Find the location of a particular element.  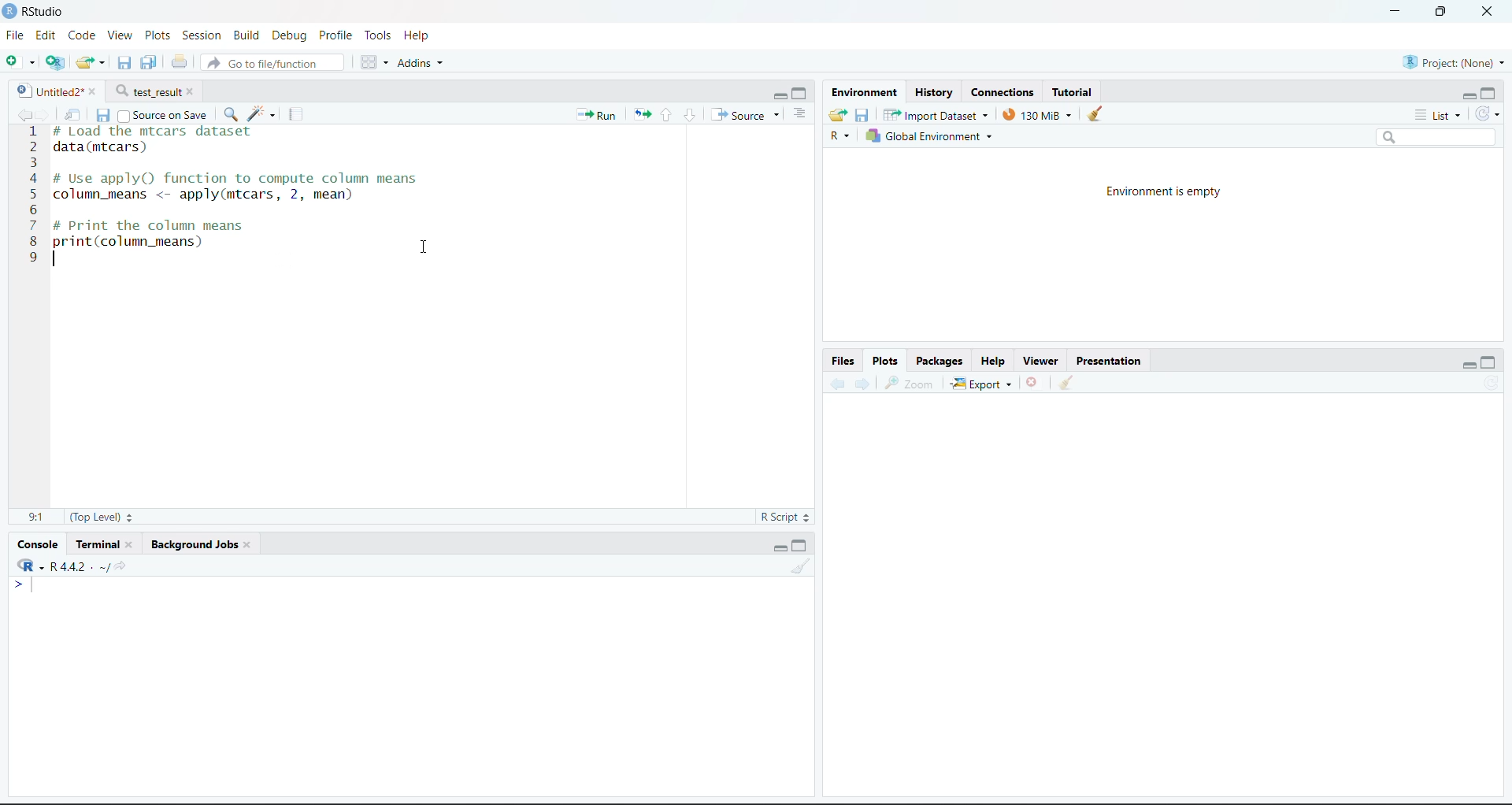

Viewer is located at coordinates (1039, 357).